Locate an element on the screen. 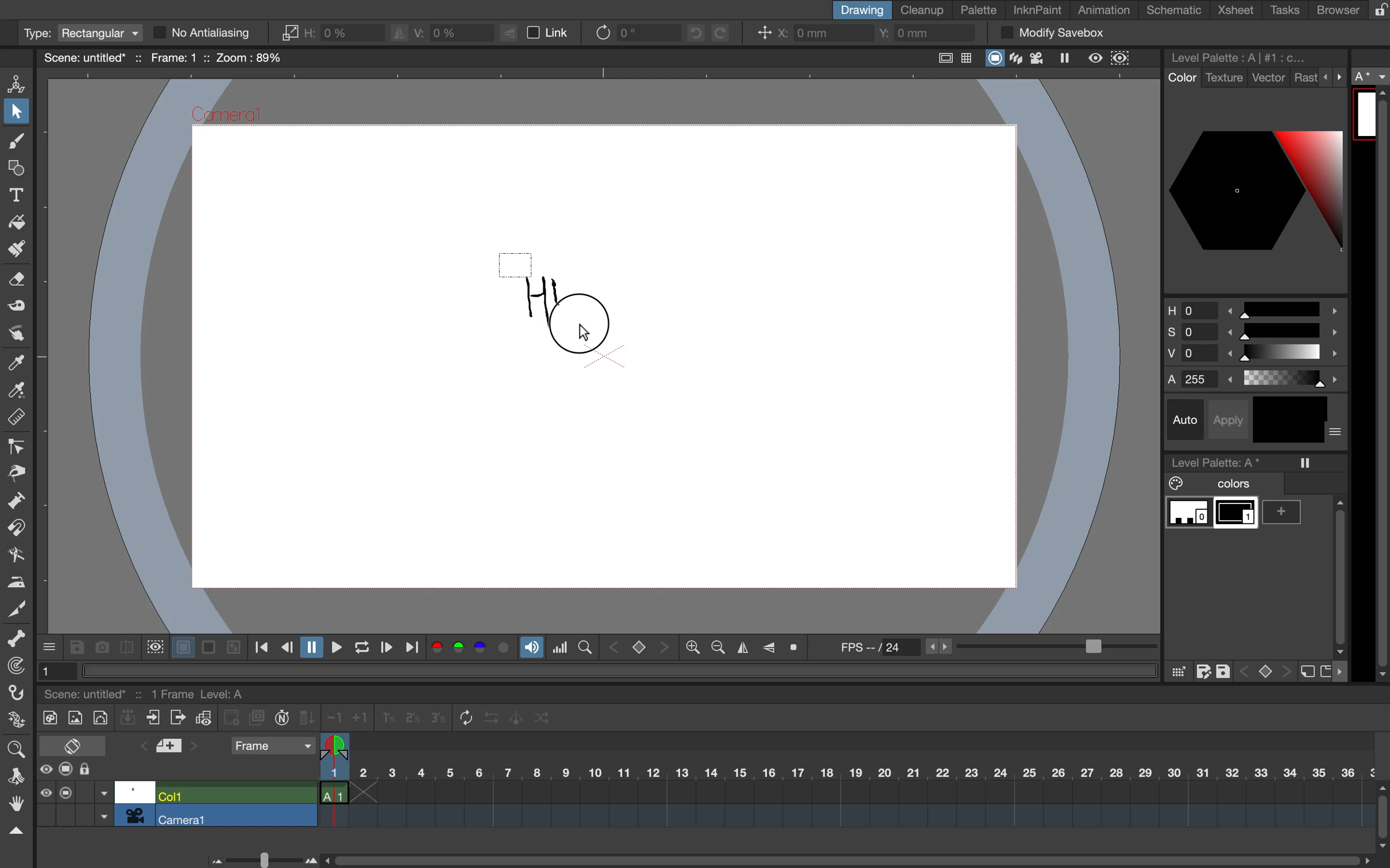  vertical scroll bar sidebar is located at coordinates (1338, 572).